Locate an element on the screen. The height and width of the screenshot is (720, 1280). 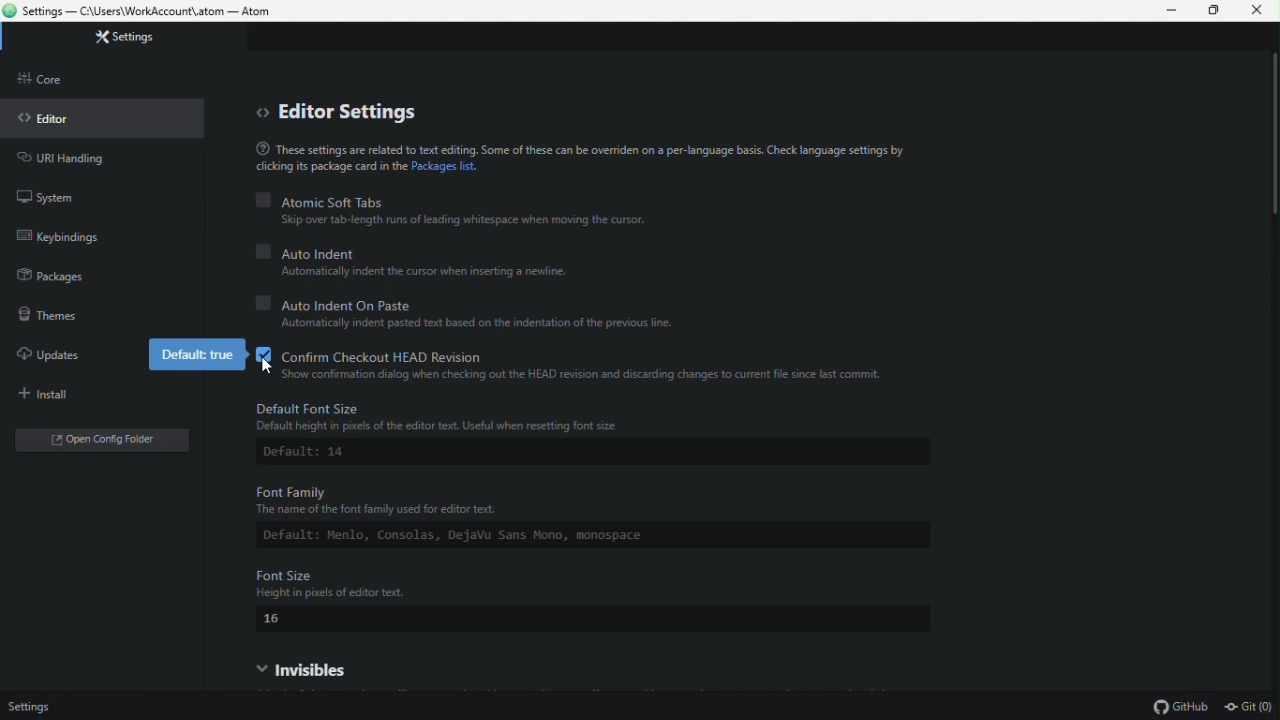
Default true is located at coordinates (193, 354).